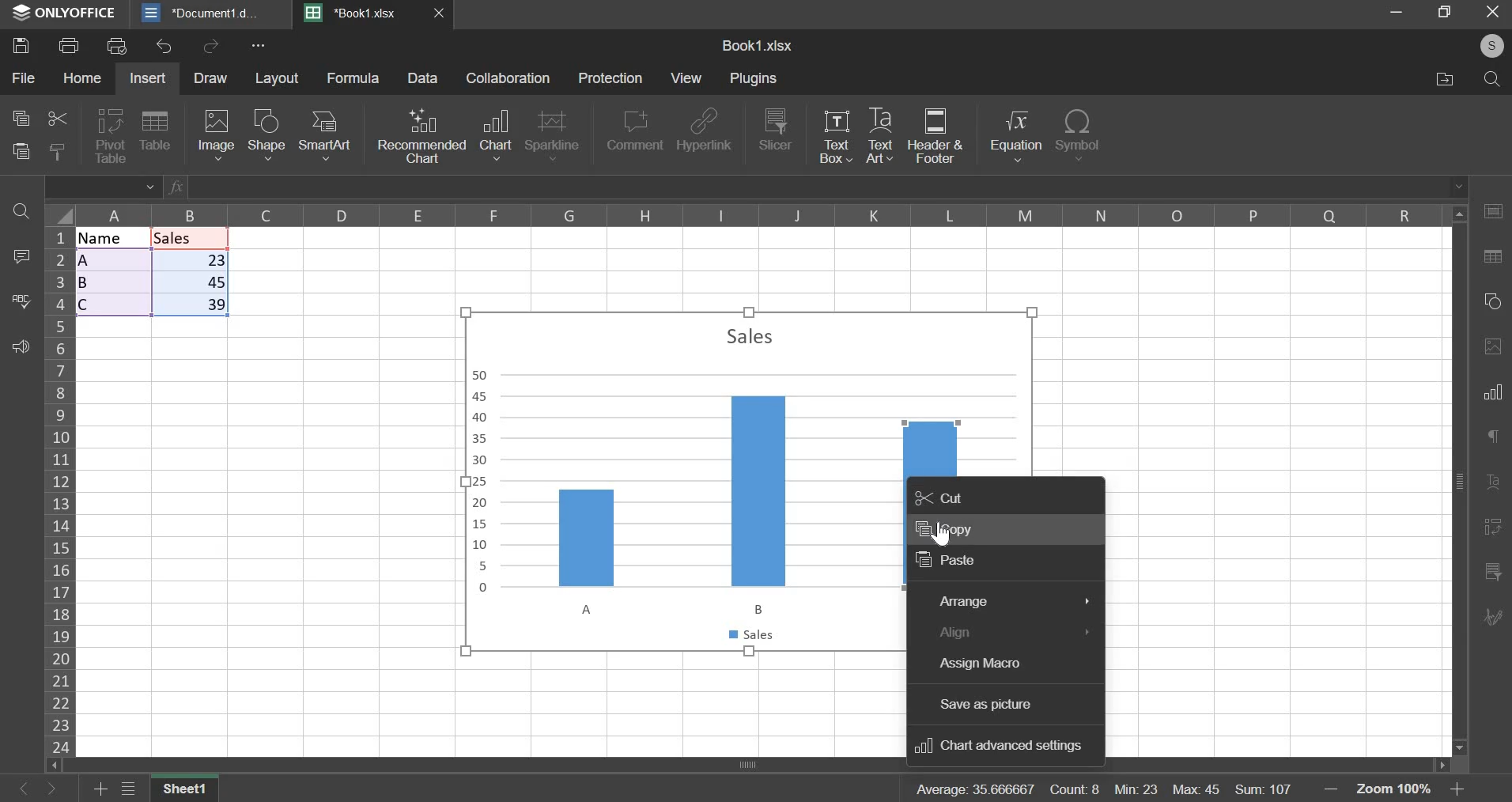  Describe the element at coordinates (834, 138) in the screenshot. I see `text box` at that location.